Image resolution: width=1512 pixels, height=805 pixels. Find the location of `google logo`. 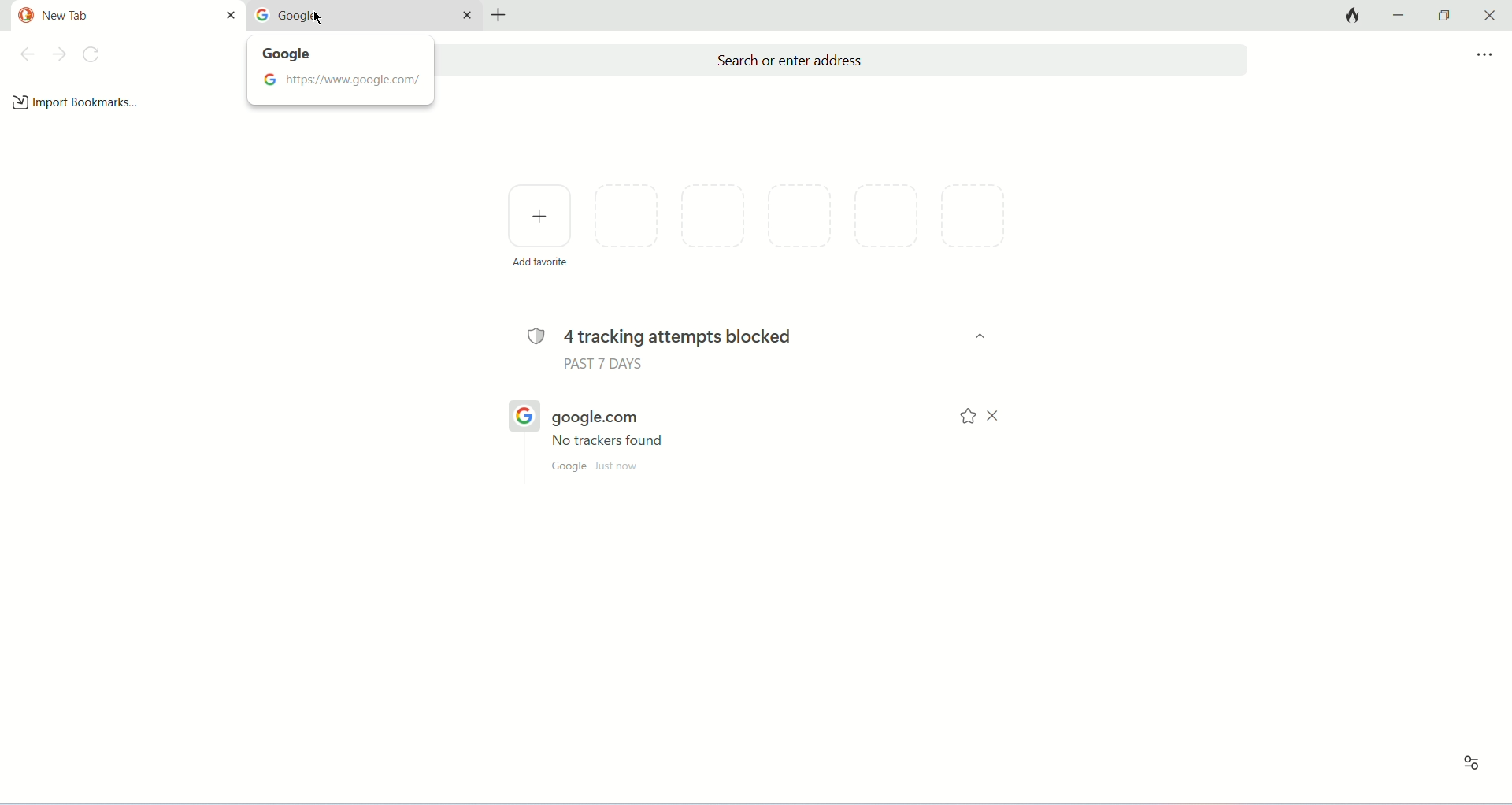

google logo is located at coordinates (262, 16).